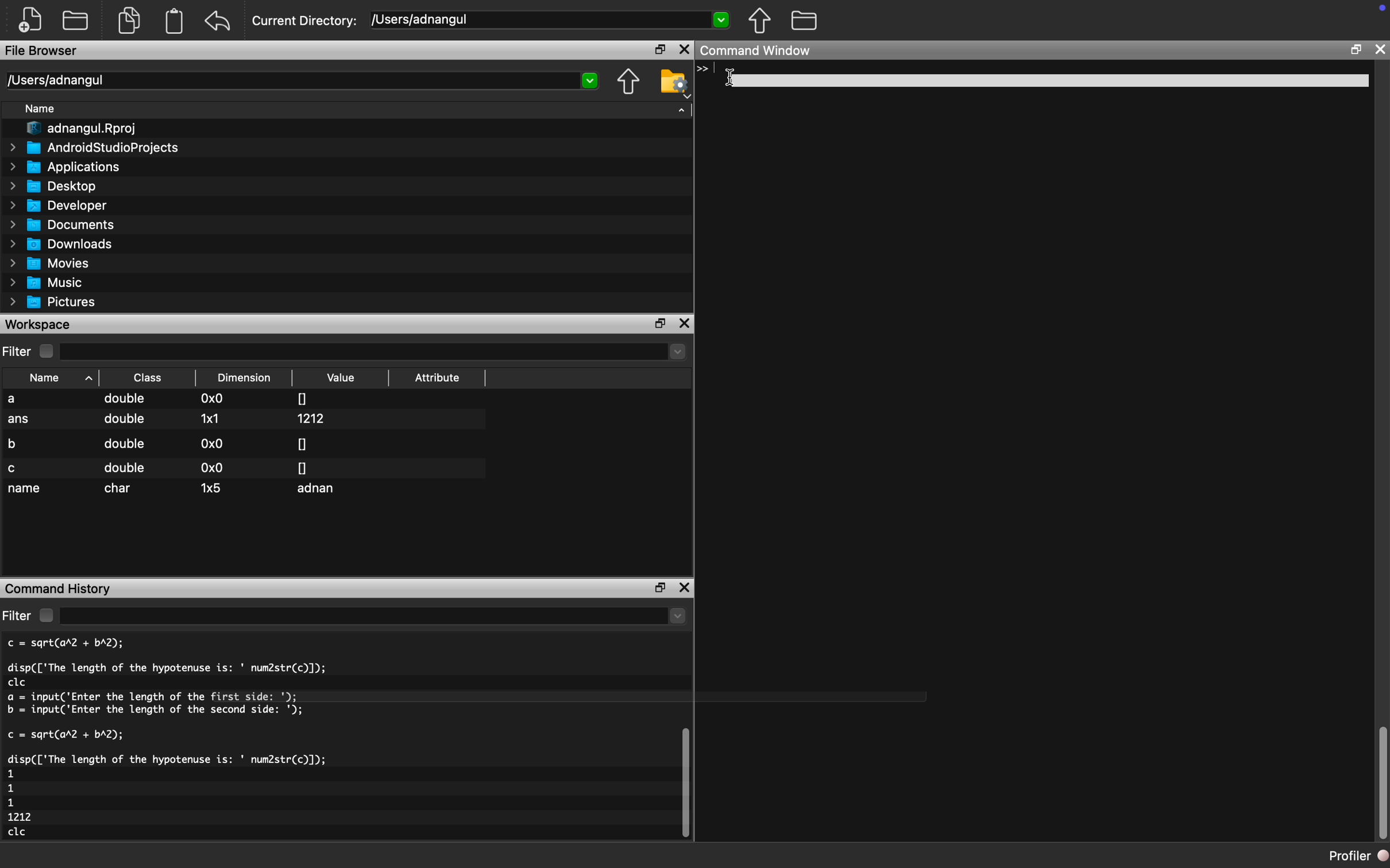 The height and width of the screenshot is (868, 1390). Describe the element at coordinates (26, 490) in the screenshot. I see `name` at that location.